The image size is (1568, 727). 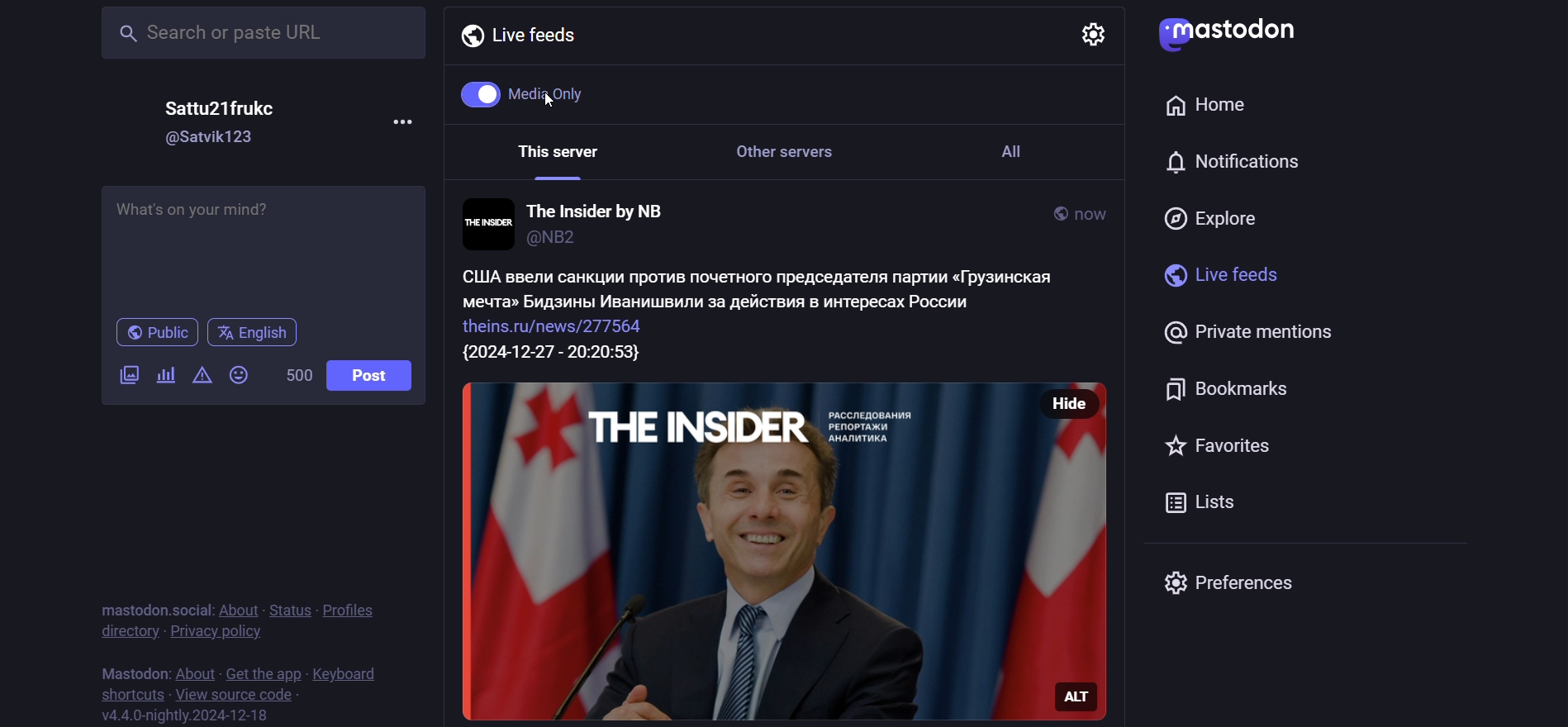 What do you see at coordinates (1238, 385) in the screenshot?
I see `bookmark` at bounding box center [1238, 385].